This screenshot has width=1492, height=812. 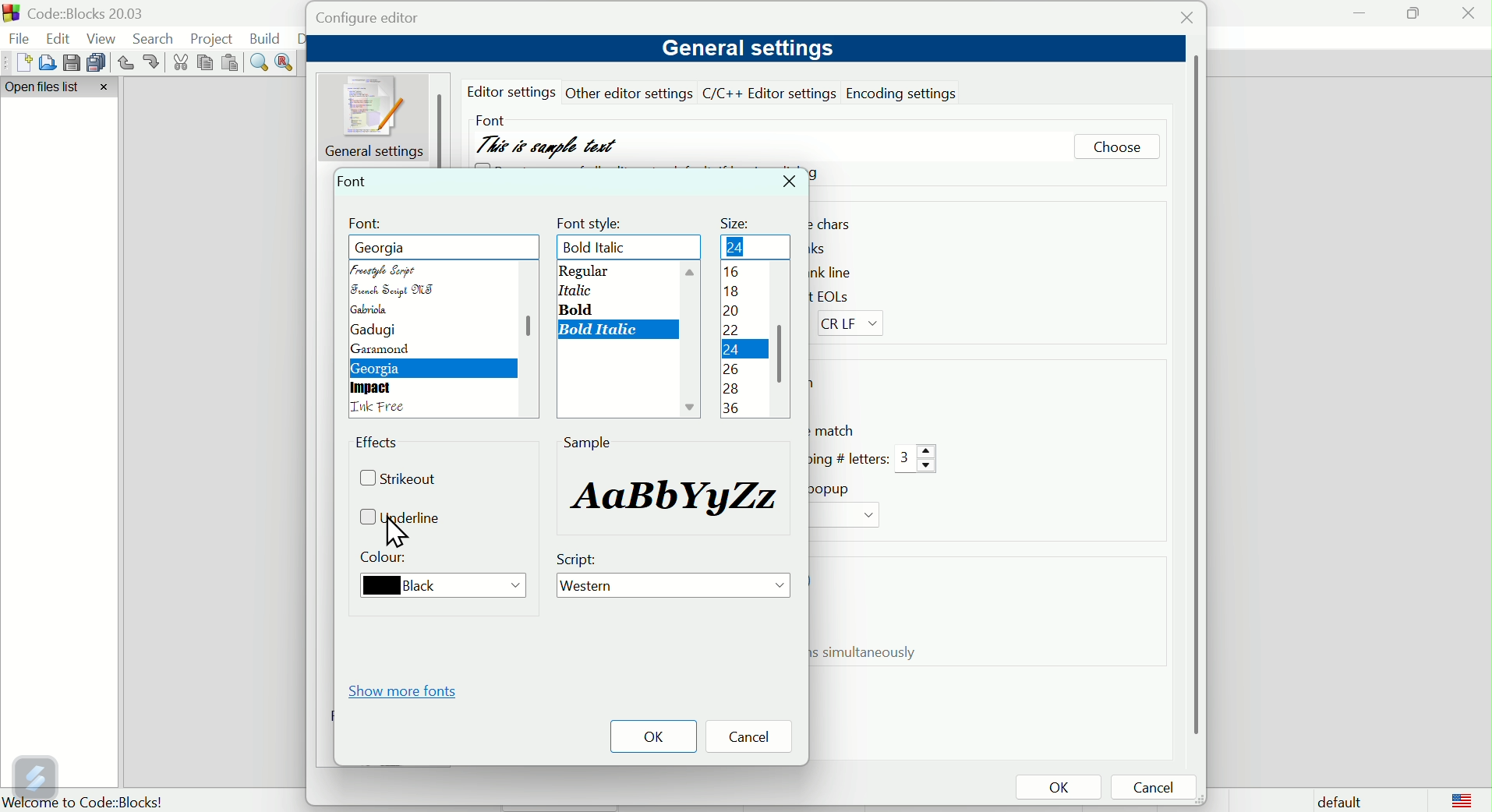 I want to click on Show More fonts, so click(x=408, y=690).